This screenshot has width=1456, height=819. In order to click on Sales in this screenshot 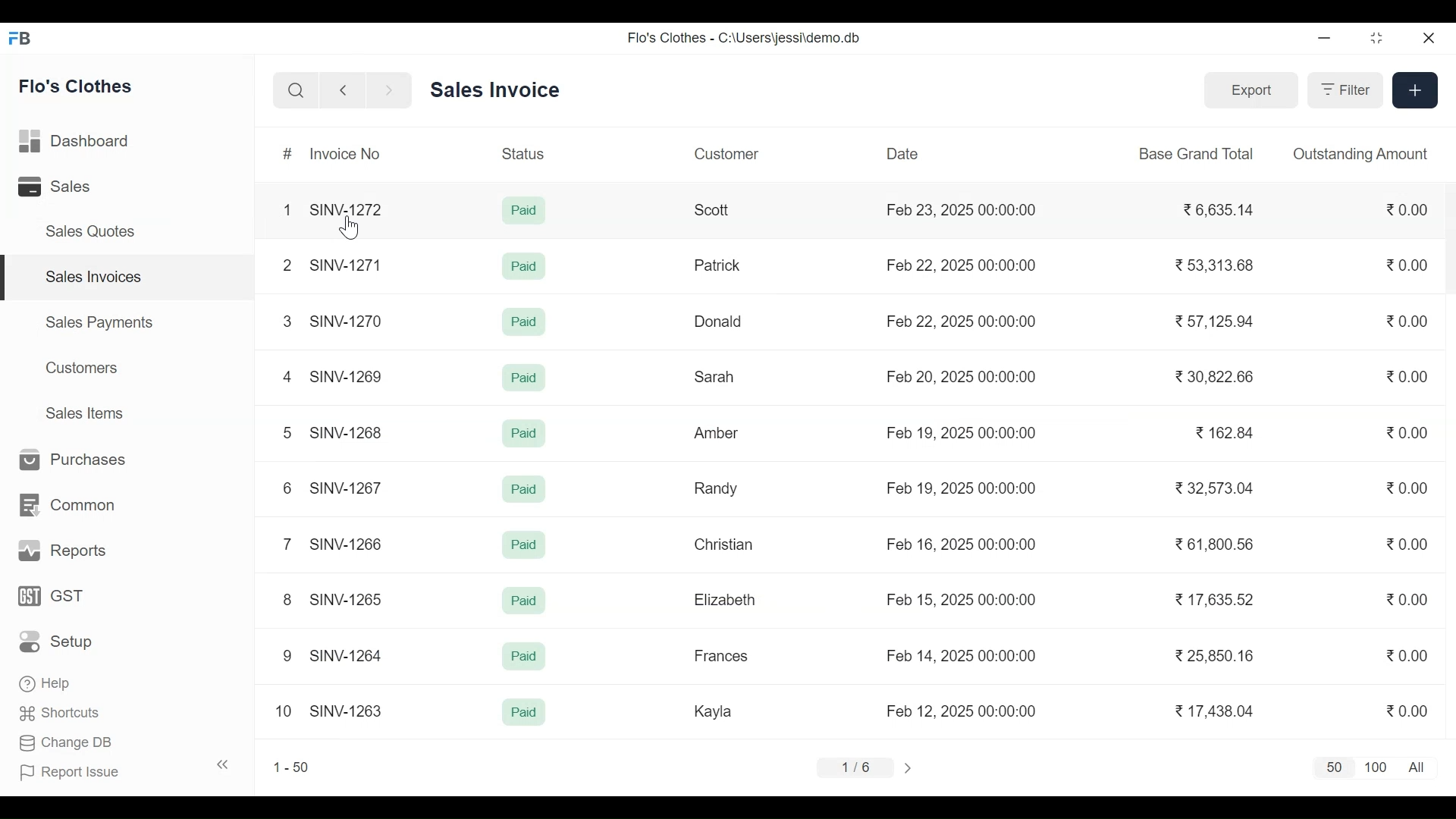, I will do `click(61, 187)`.